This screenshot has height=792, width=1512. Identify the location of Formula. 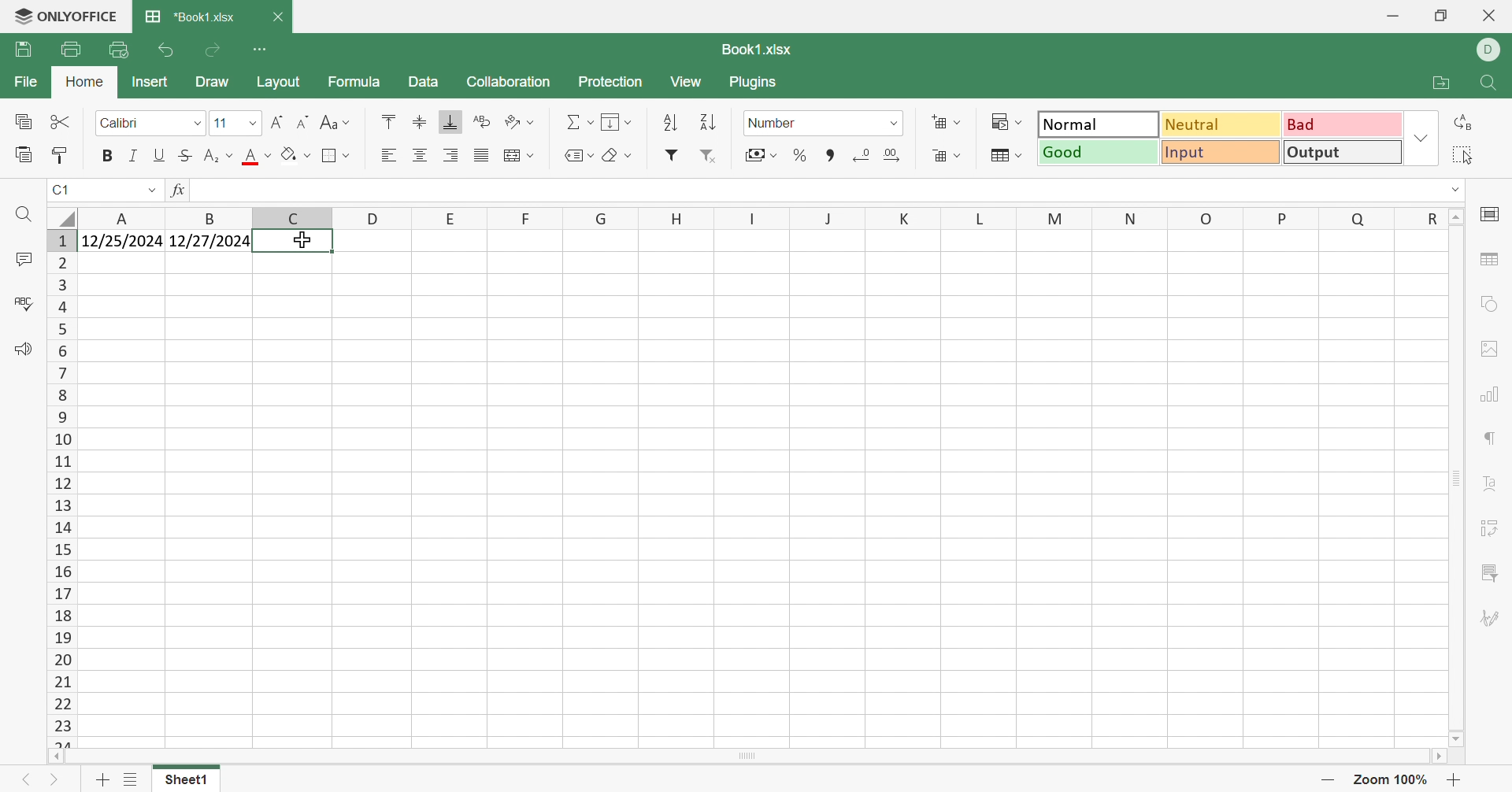
(356, 84).